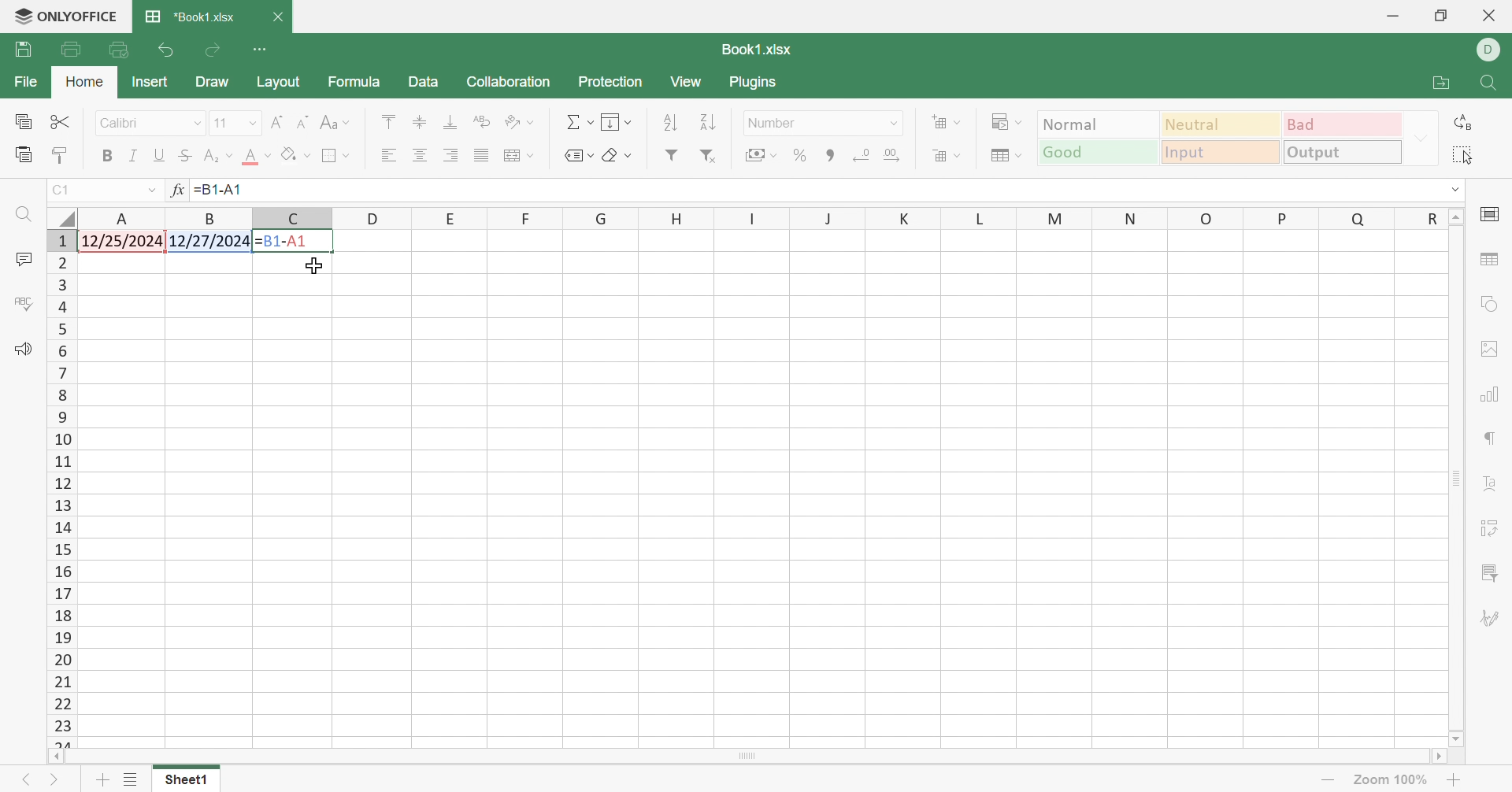  Describe the element at coordinates (949, 157) in the screenshot. I see `Delete cells` at that location.